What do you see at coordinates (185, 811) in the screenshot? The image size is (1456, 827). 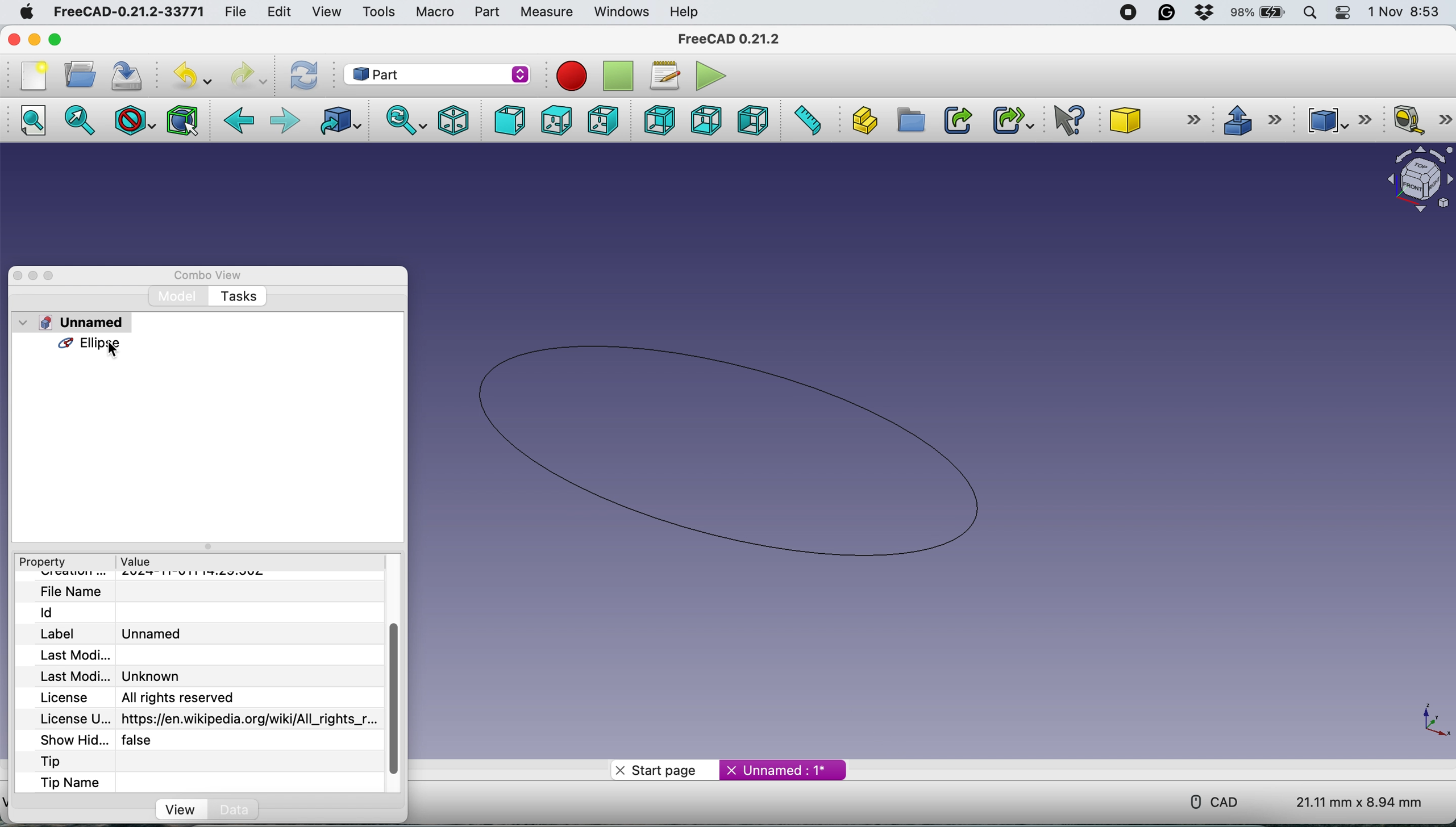 I see `view` at bounding box center [185, 811].